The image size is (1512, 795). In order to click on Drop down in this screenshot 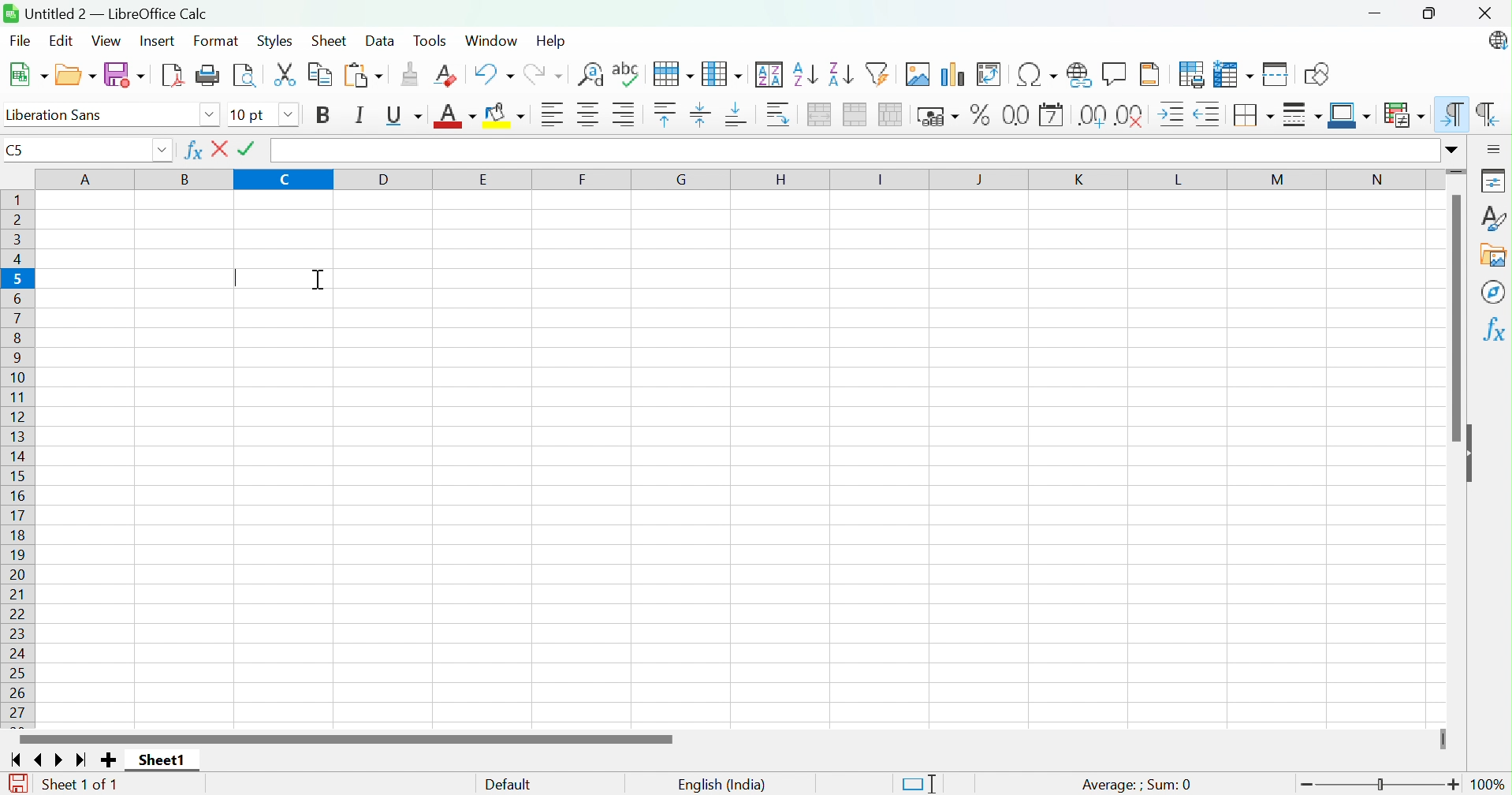, I will do `click(210, 116)`.